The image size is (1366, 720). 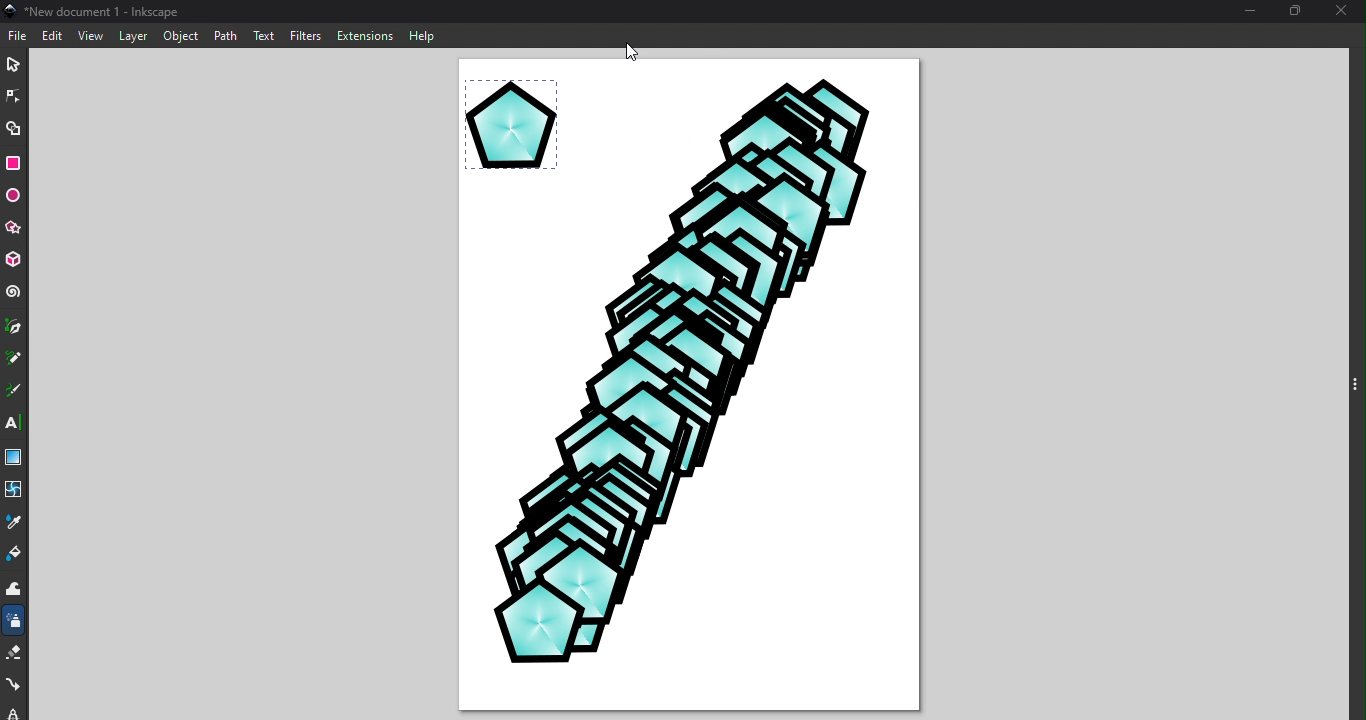 What do you see at coordinates (13, 328) in the screenshot?
I see `Pen tool` at bounding box center [13, 328].